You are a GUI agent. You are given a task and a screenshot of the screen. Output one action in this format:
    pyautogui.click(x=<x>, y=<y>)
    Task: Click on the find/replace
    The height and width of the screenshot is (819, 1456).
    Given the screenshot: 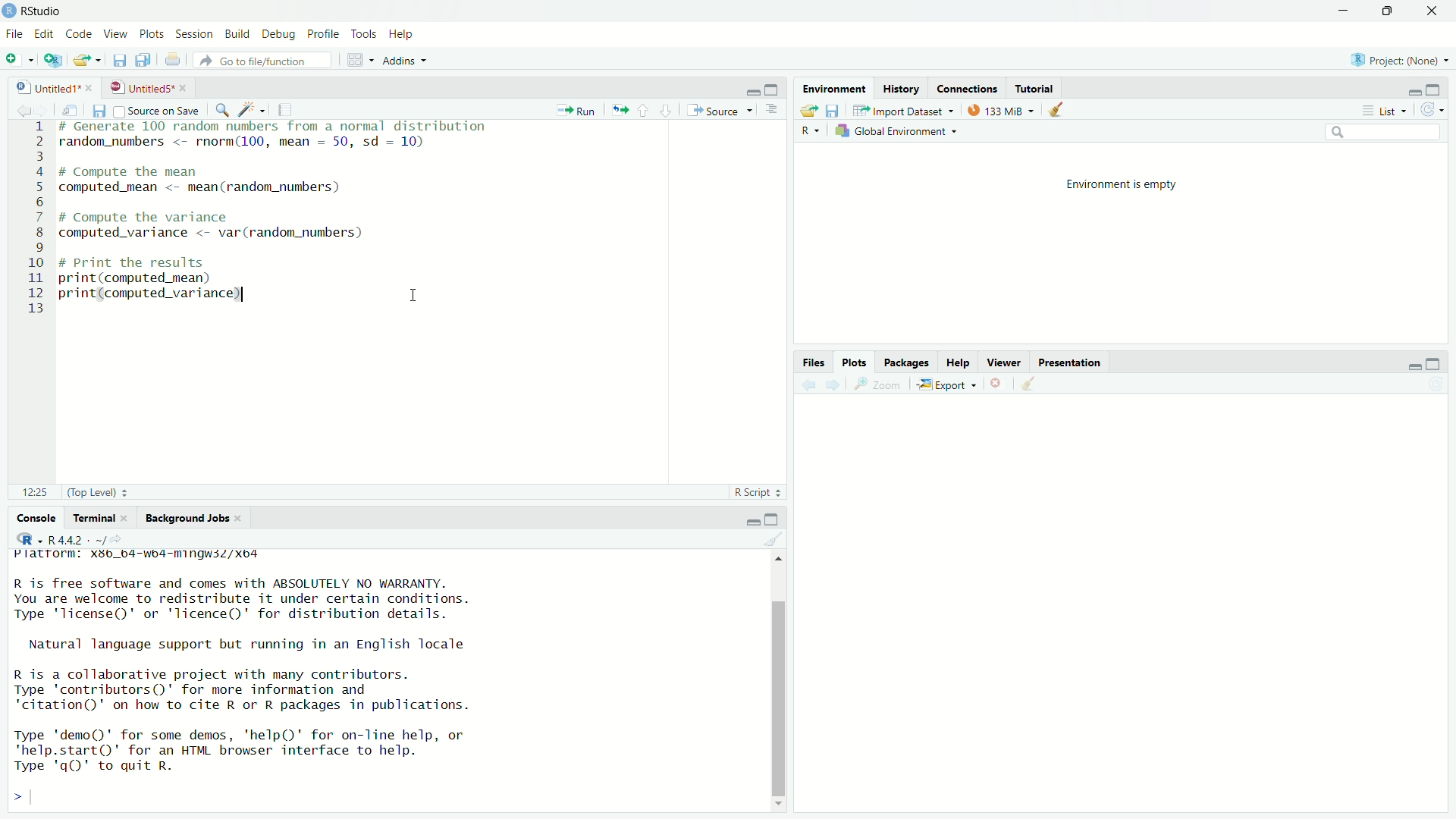 What is the action you would take?
    pyautogui.click(x=221, y=108)
    